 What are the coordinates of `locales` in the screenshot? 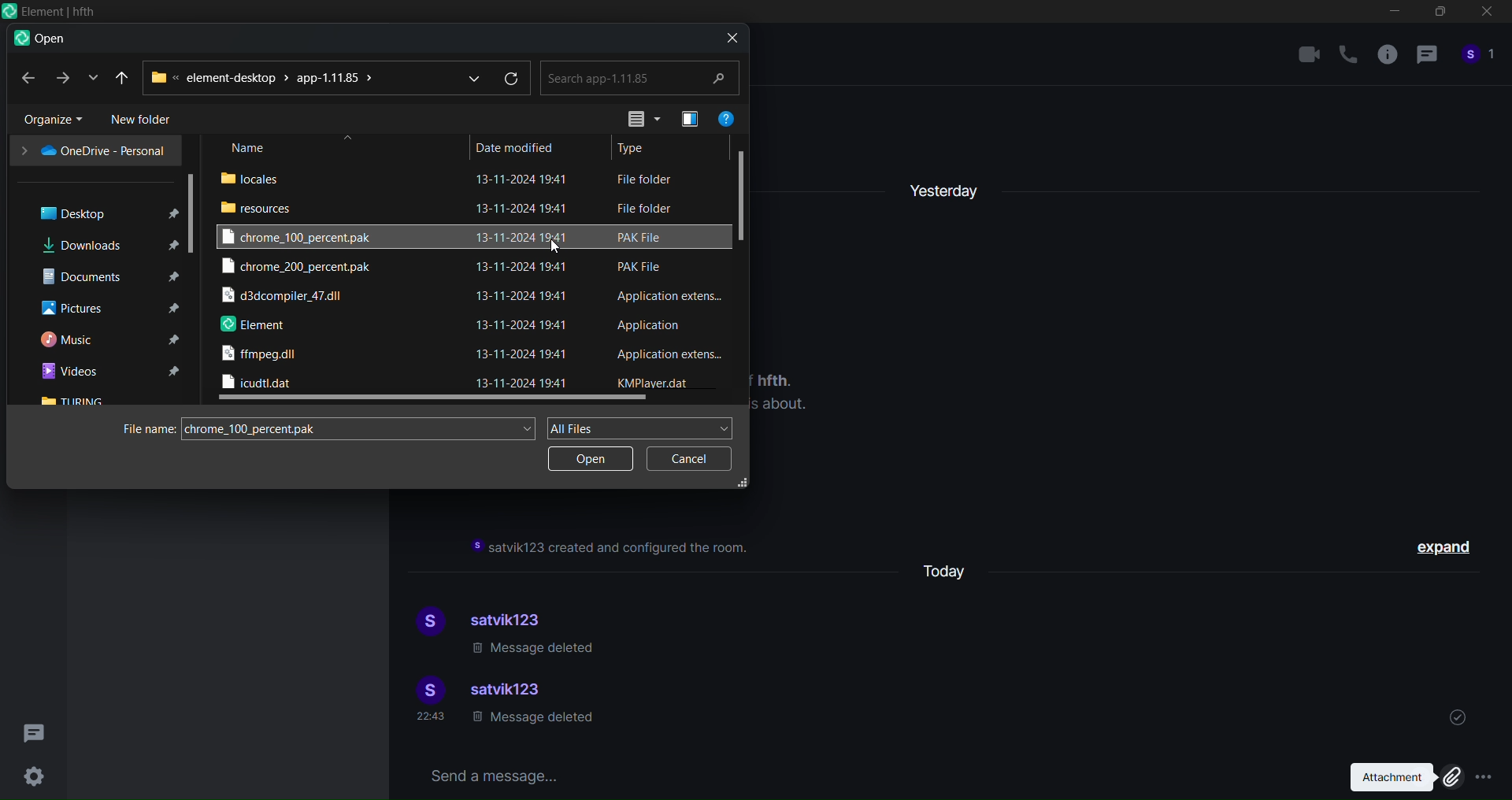 It's located at (257, 177).